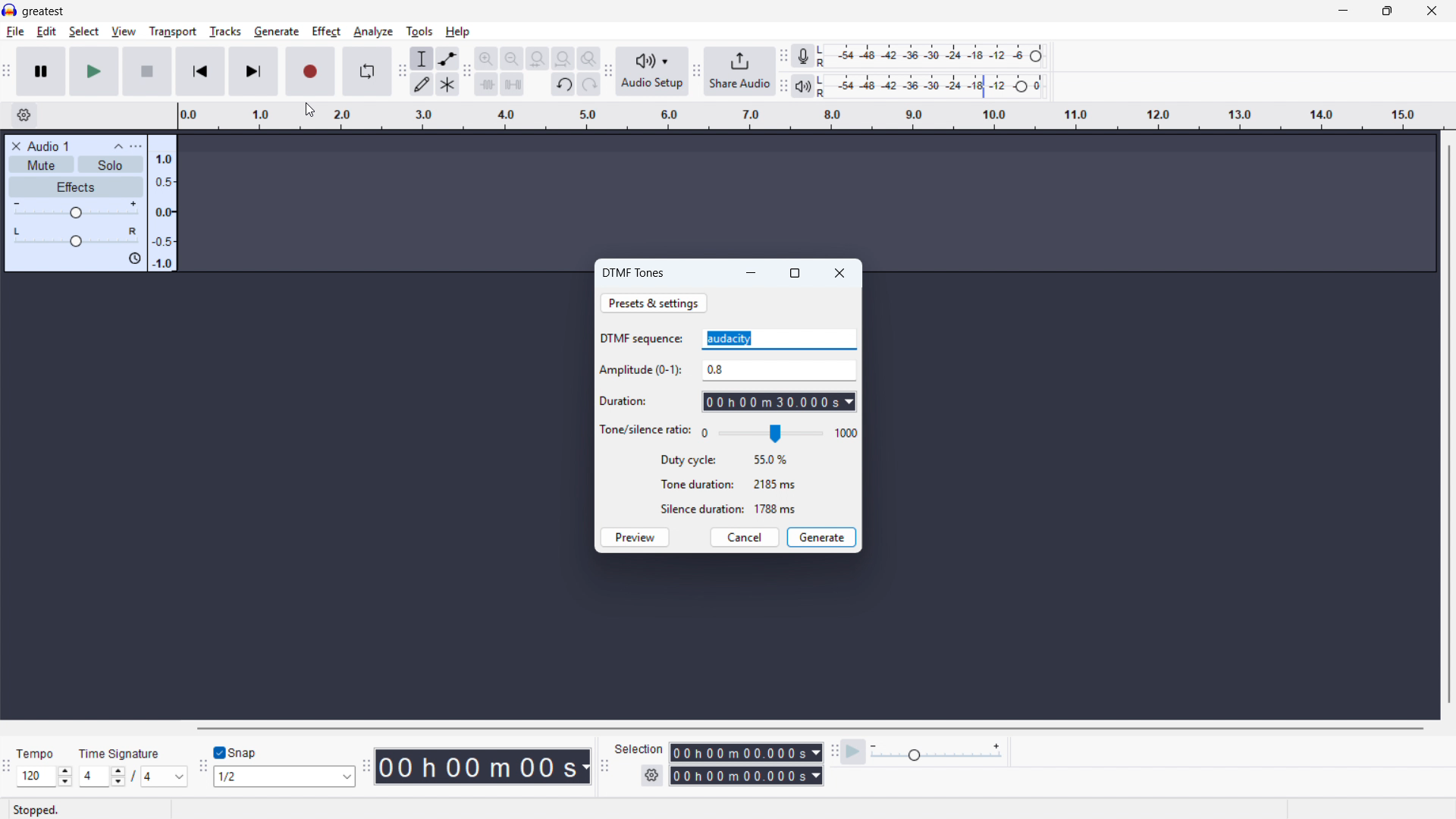 The image size is (1456, 819). Describe the element at coordinates (625, 401) in the screenshot. I see `duration` at that location.